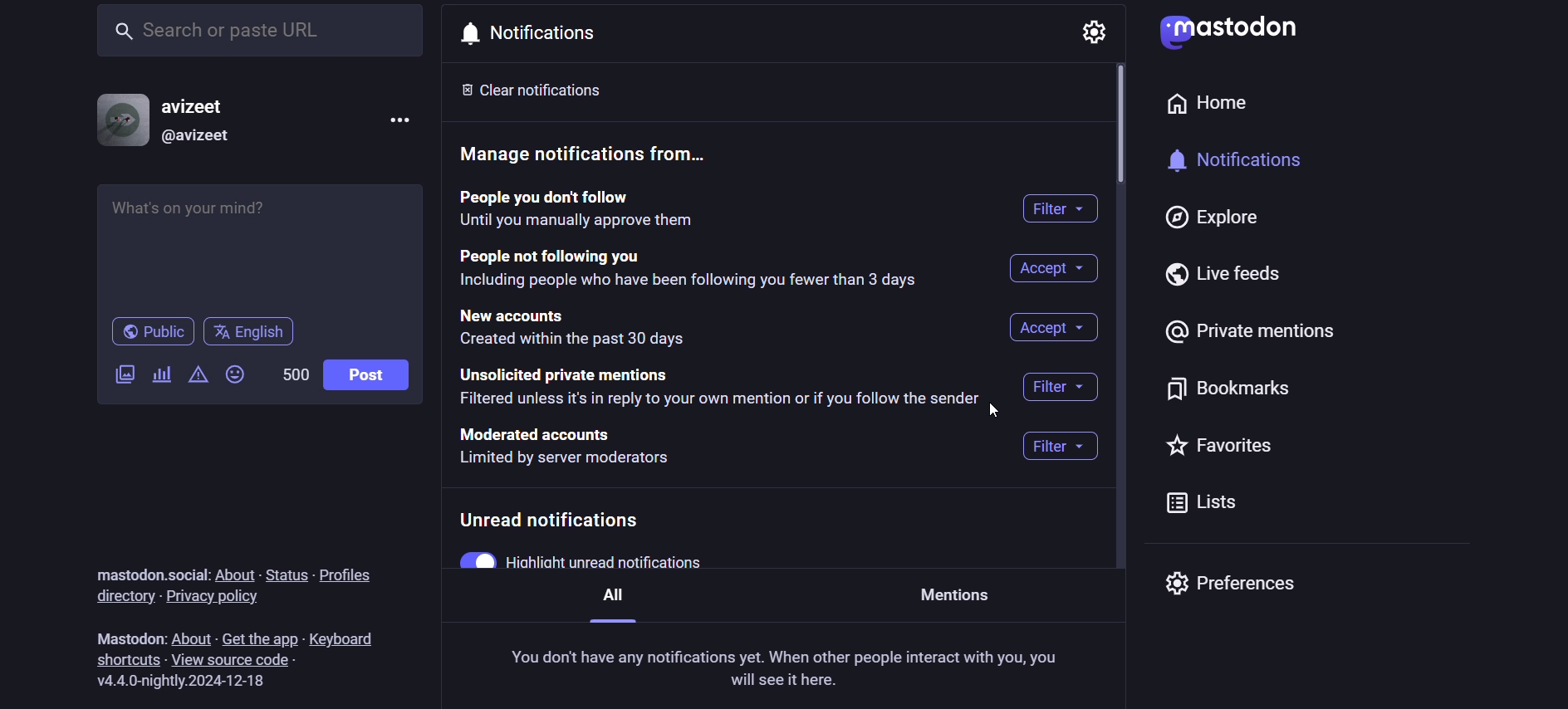 This screenshot has width=1568, height=709. Describe the element at coordinates (1062, 388) in the screenshot. I see `filter` at that location.